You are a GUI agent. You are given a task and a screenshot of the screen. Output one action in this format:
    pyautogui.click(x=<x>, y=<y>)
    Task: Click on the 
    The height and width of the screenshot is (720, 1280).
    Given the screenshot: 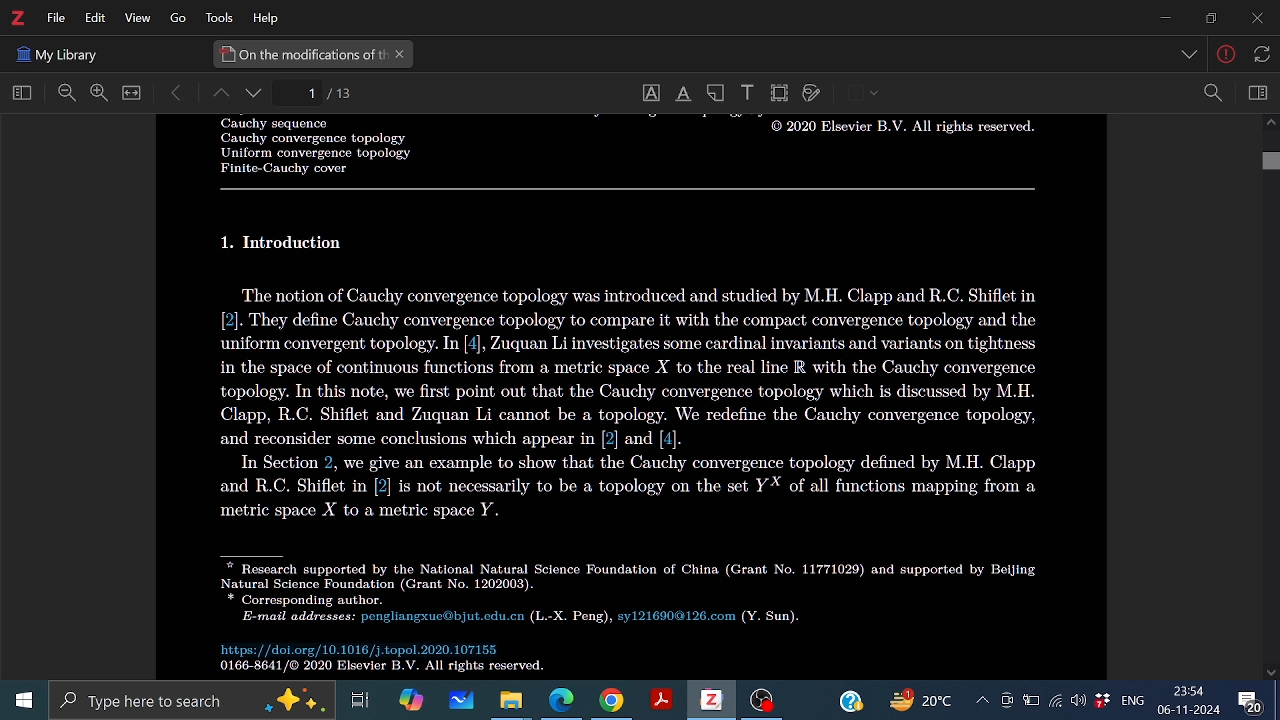 What is the action you would take?
    pyautogui.click(x=625, y=588)
    